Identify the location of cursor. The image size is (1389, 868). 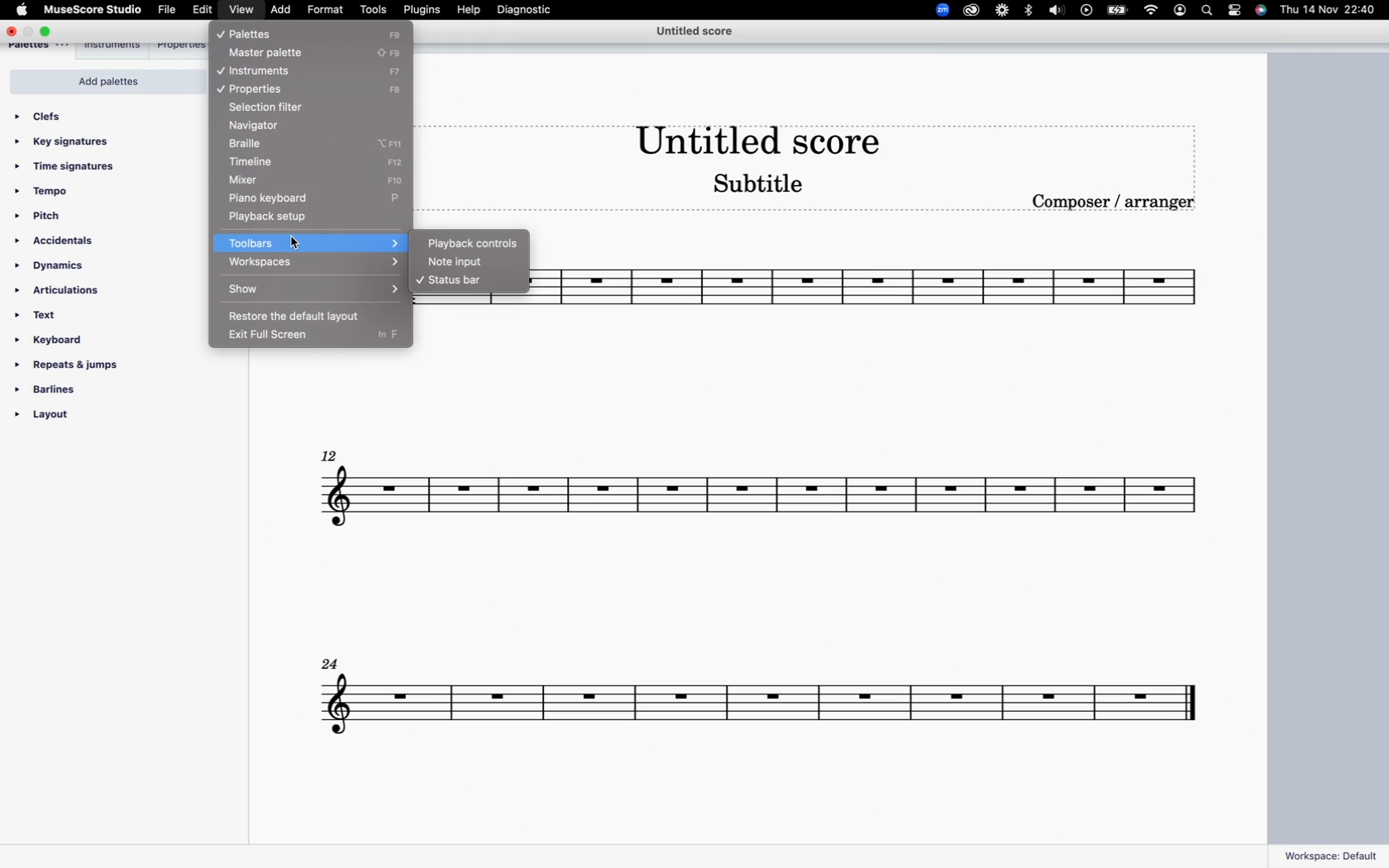
(298, 237).